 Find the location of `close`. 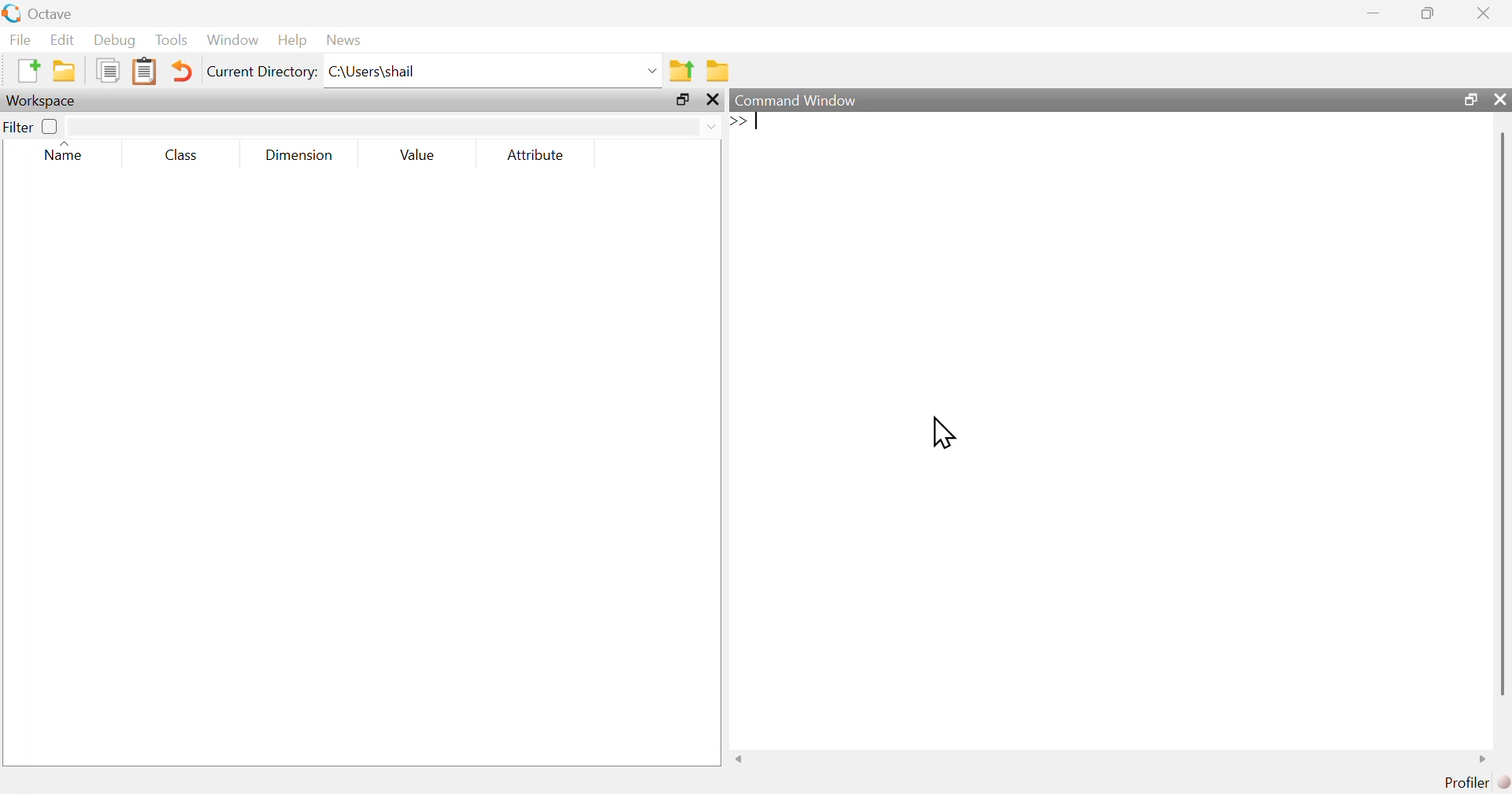

close is located at coordinates (1500, 100).